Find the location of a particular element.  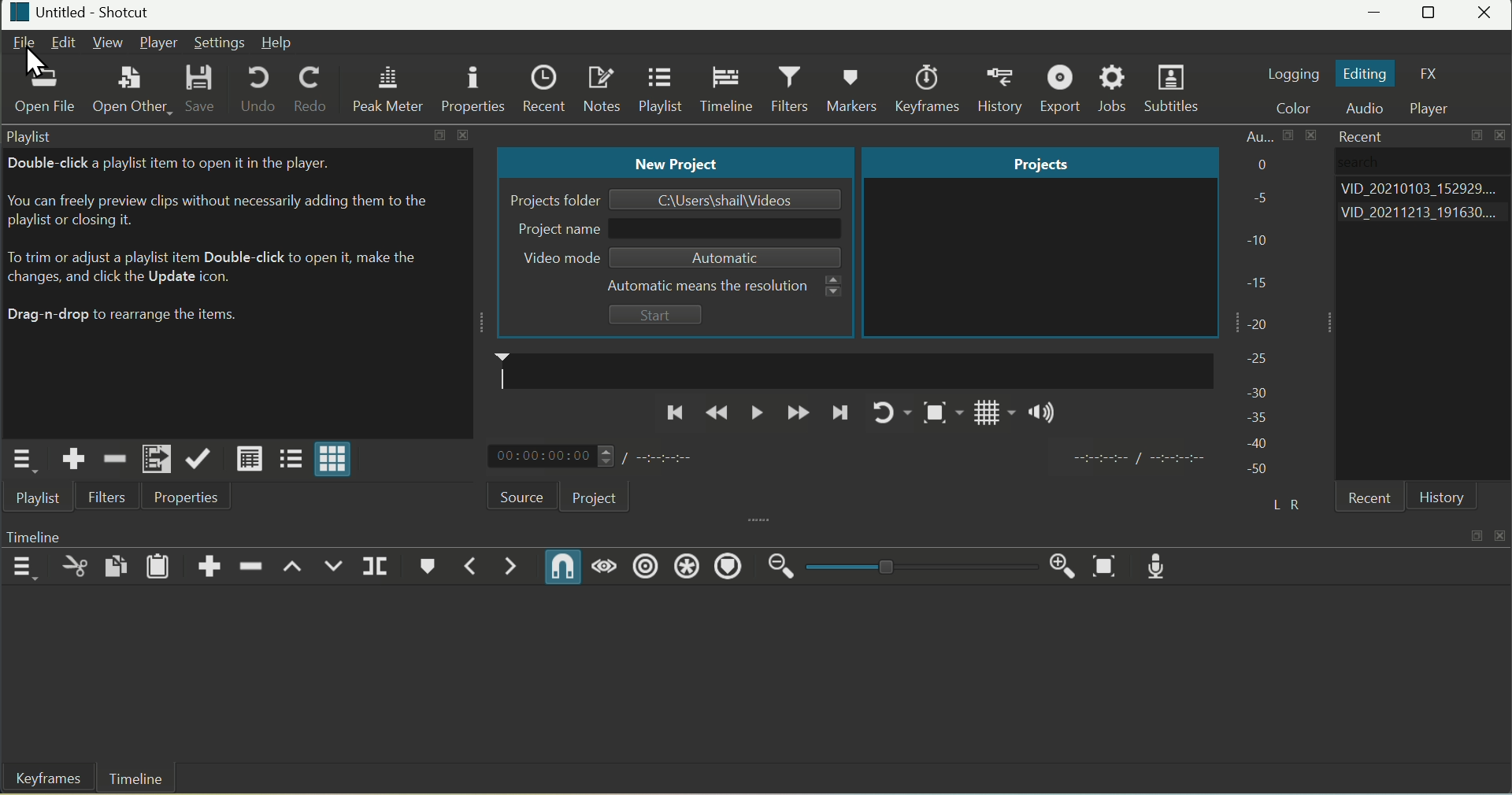

Keyframes is located at coordinates (932, 88).